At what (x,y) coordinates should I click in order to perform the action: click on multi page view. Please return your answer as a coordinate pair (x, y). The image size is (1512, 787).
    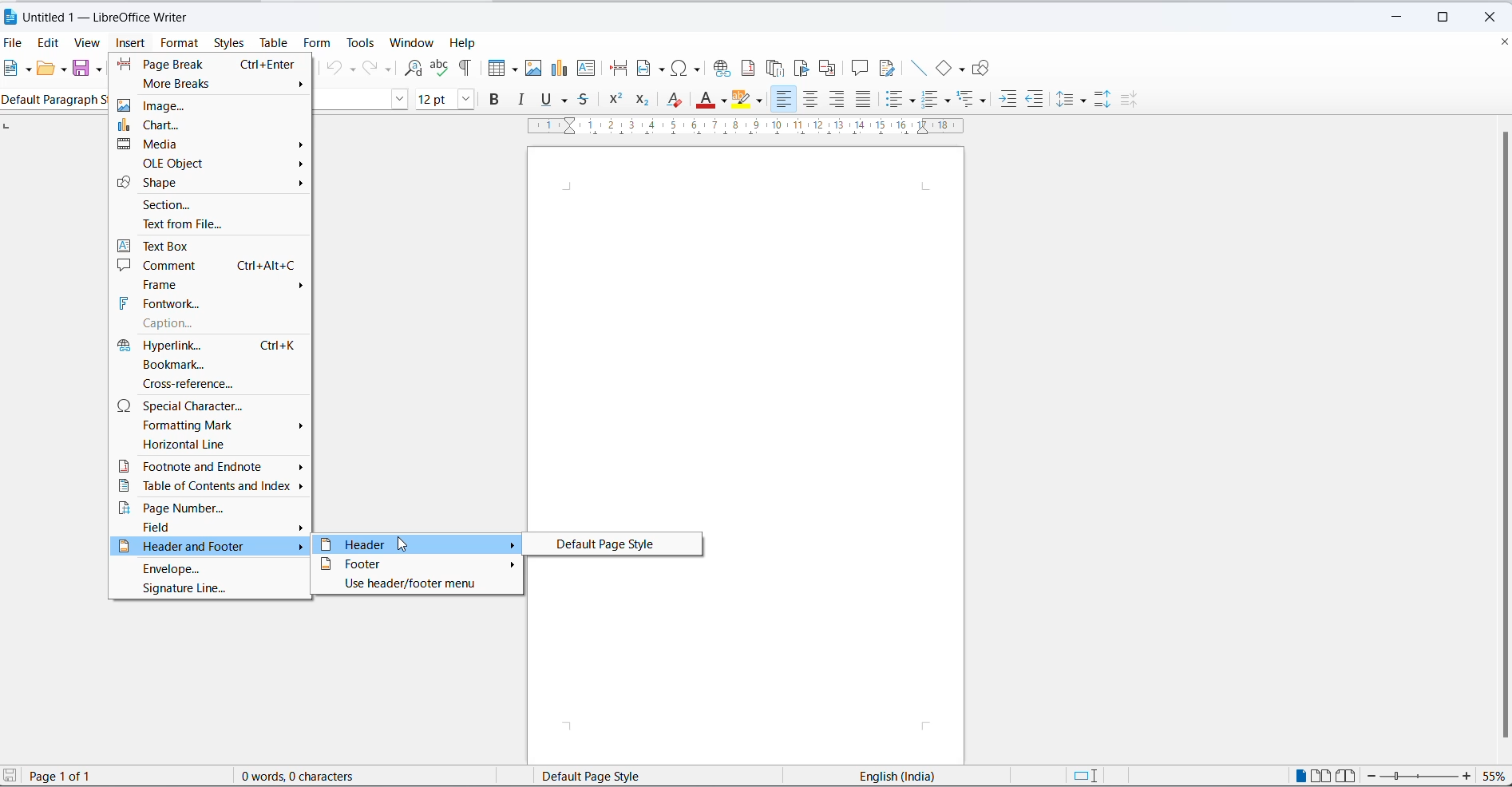
    Looking at the image, I should click on (1320, 777).